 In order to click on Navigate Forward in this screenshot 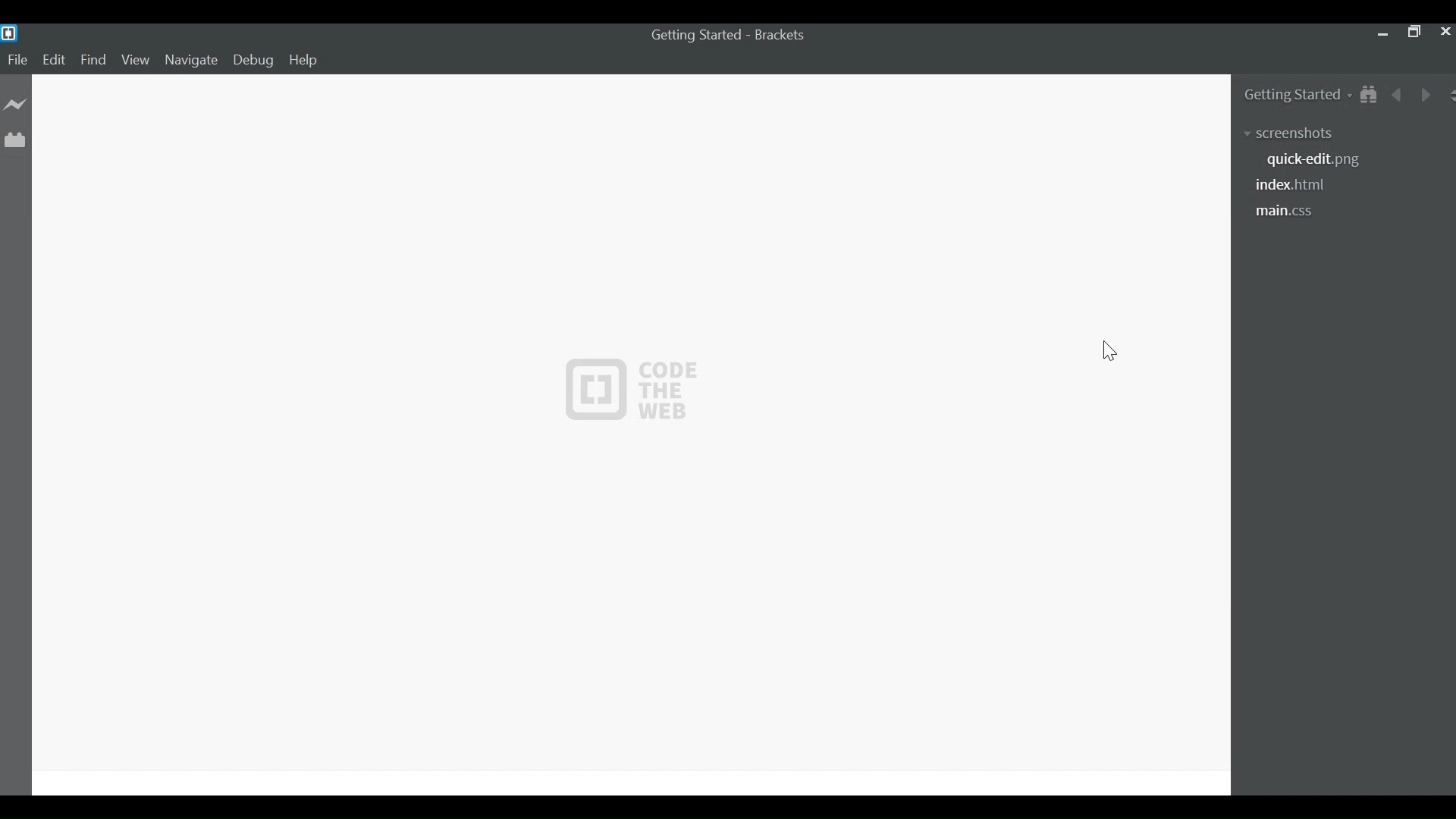, I will do `click(1425, 94)`.